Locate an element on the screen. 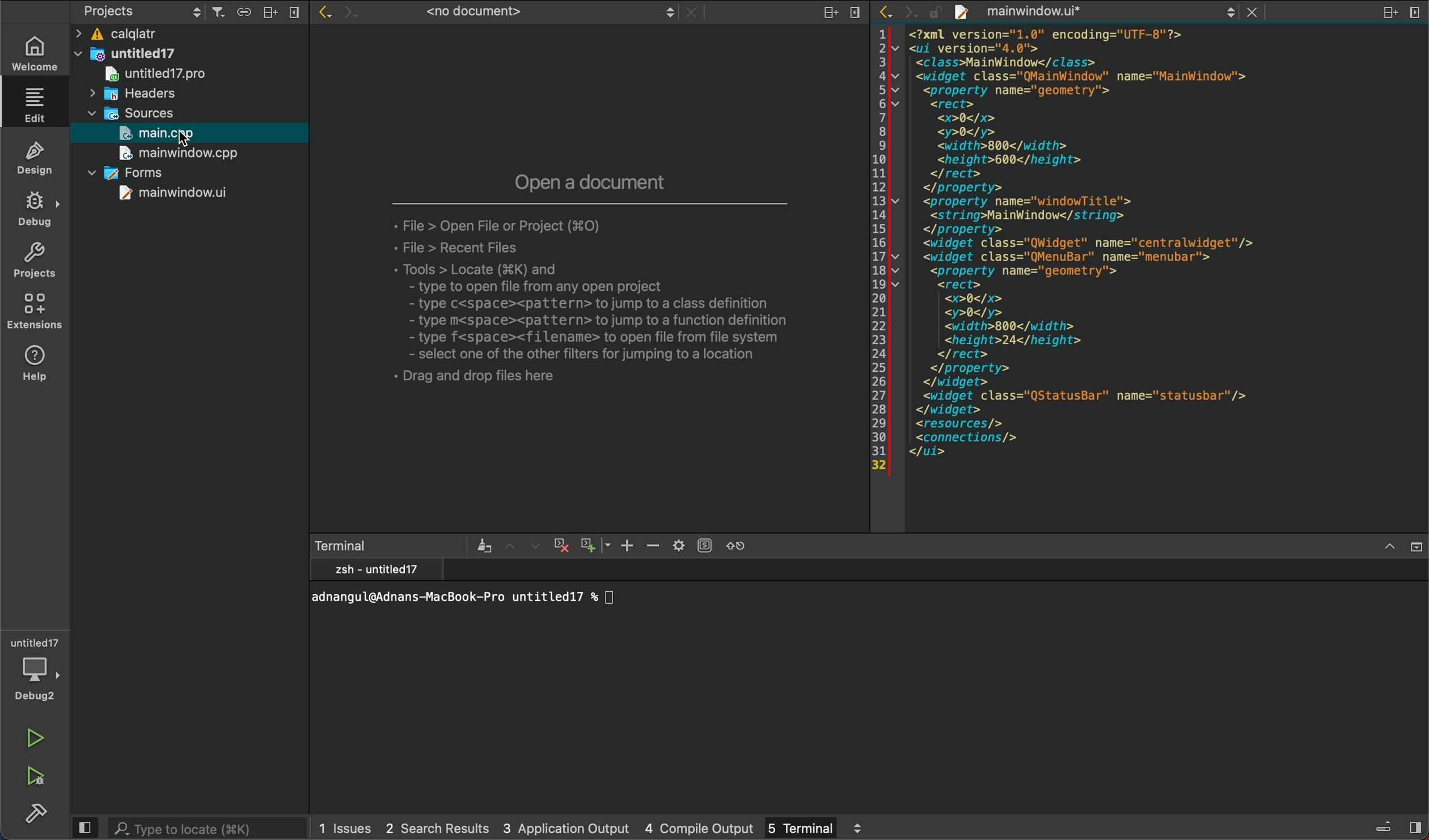 This screenshot has width=1429, height=840. zoom out is located at coordinates (594, 544).